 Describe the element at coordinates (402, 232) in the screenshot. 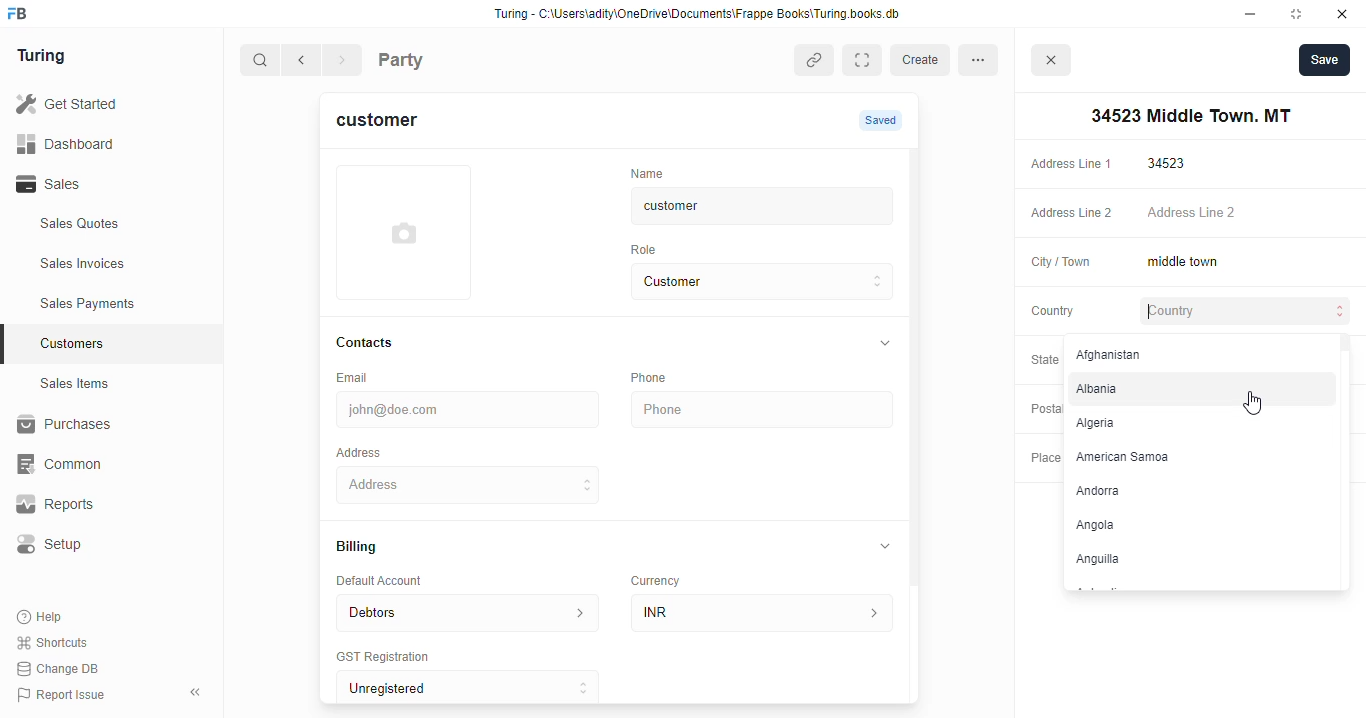

I see `add profile photo` at that location.